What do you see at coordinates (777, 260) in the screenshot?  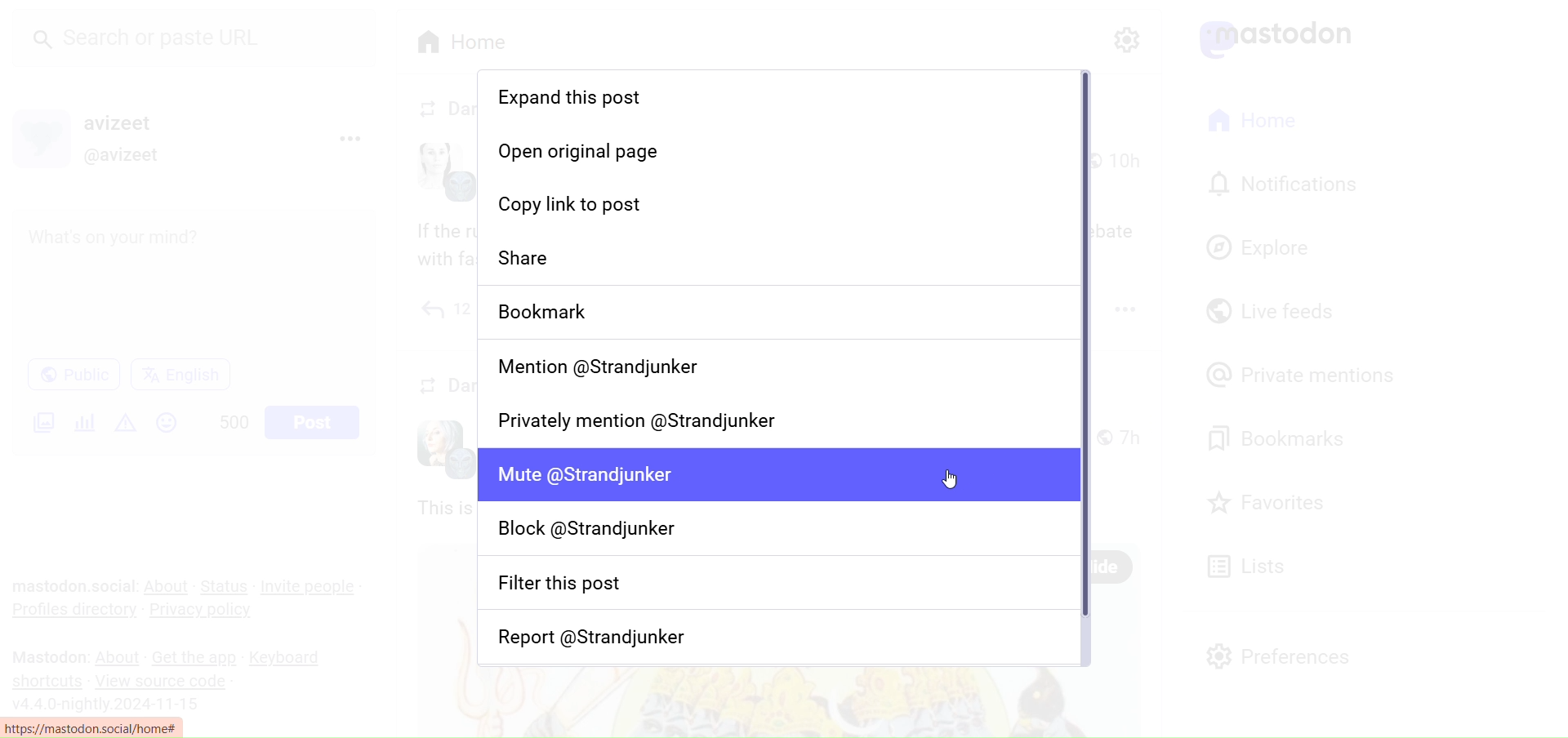 I see `Share` at bounding box center [777, 260].